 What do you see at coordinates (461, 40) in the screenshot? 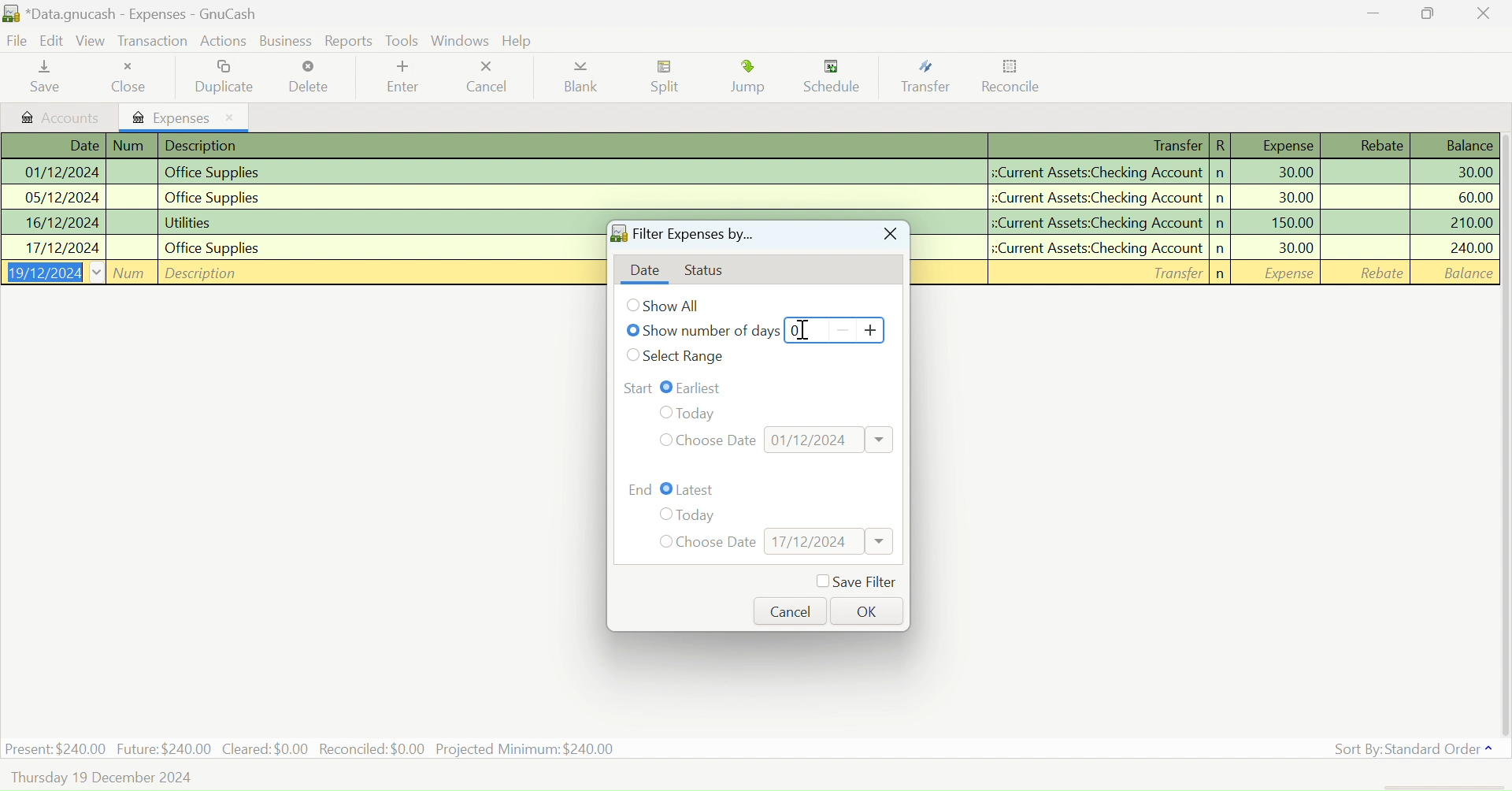
I see `Windows` at bounding box center [461, 40].